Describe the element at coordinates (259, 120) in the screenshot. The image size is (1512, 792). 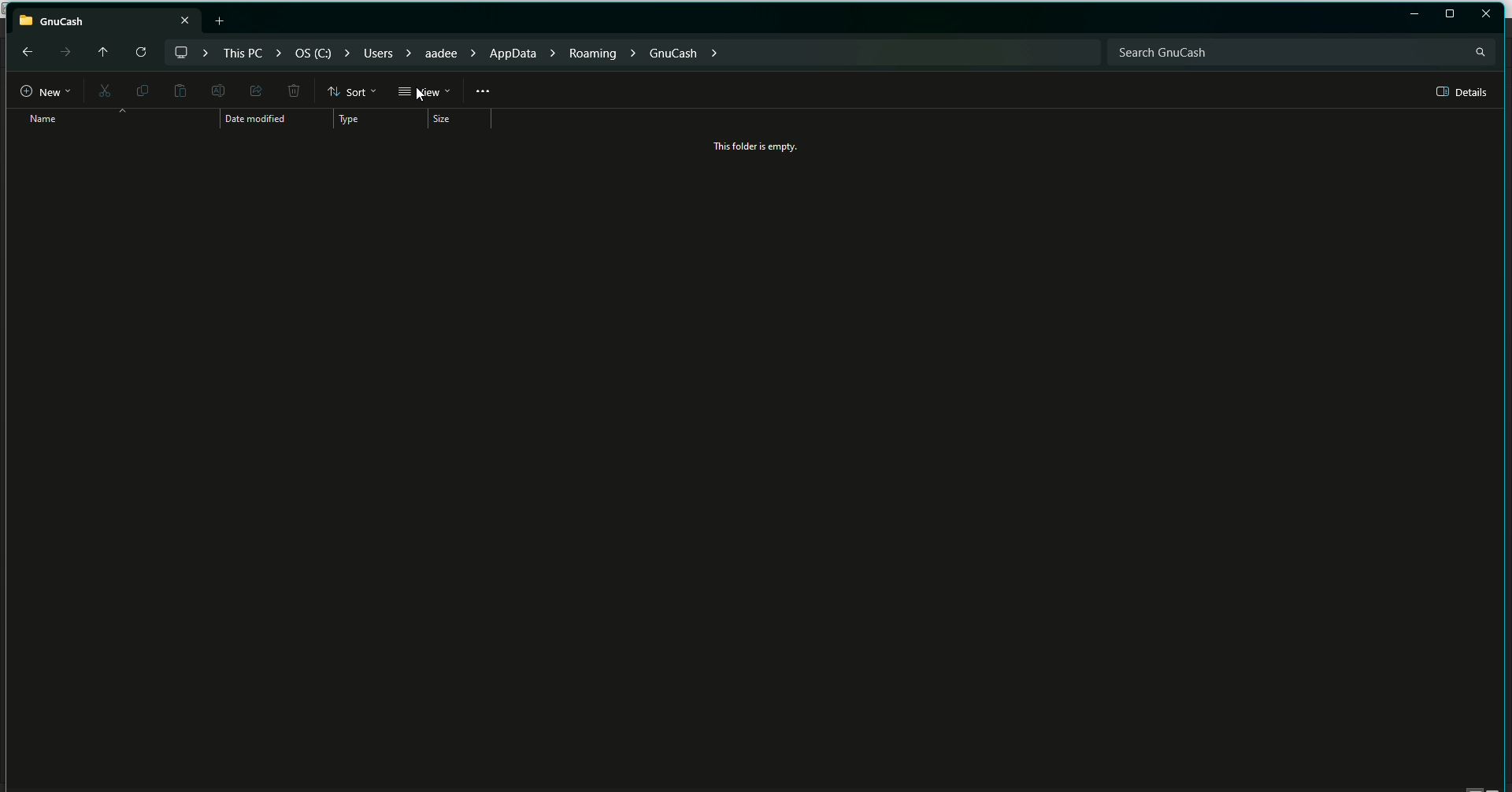
I see `Date Modified` at that location.